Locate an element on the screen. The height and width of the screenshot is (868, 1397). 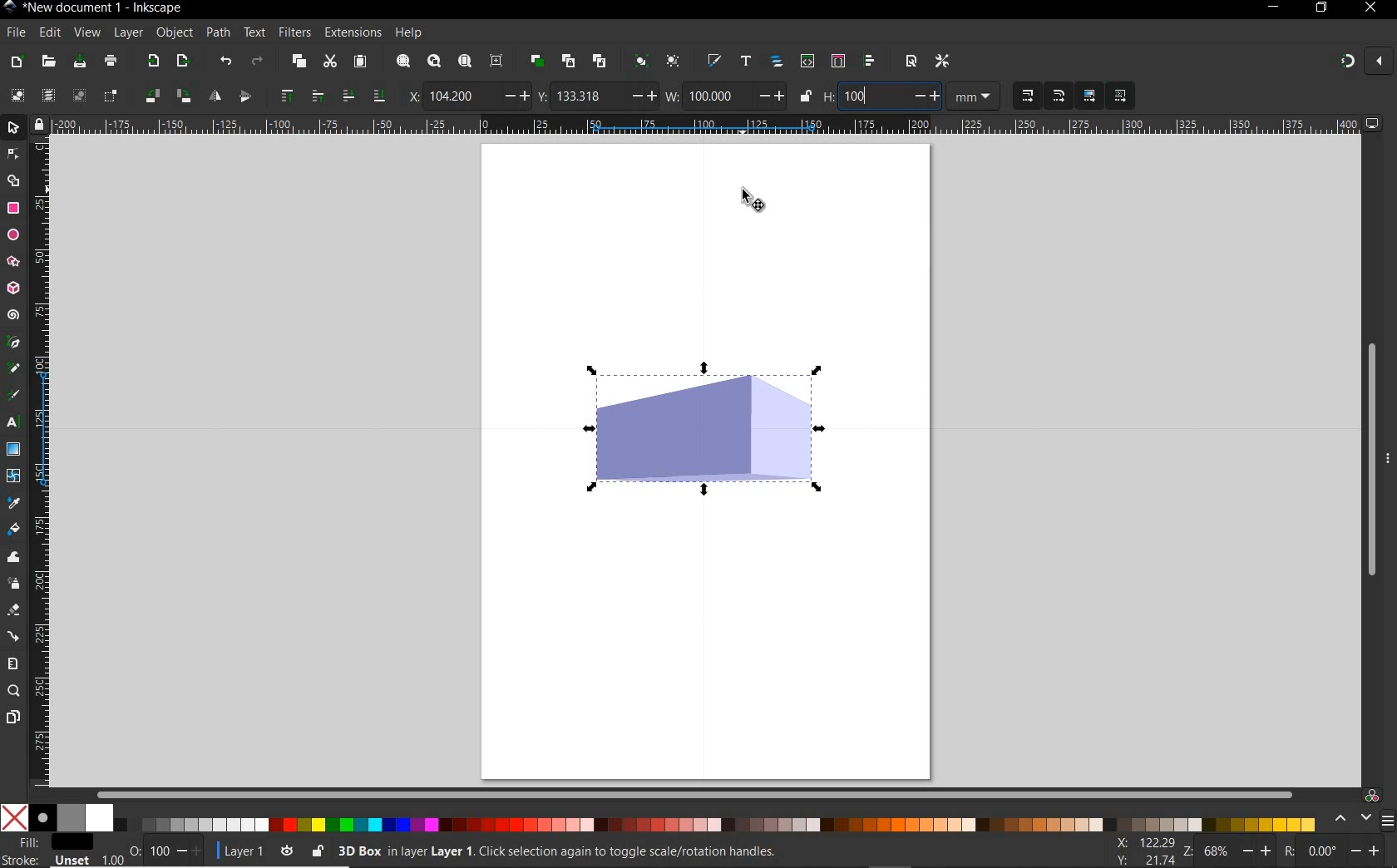
68 is located at coordinates (1218, 853).